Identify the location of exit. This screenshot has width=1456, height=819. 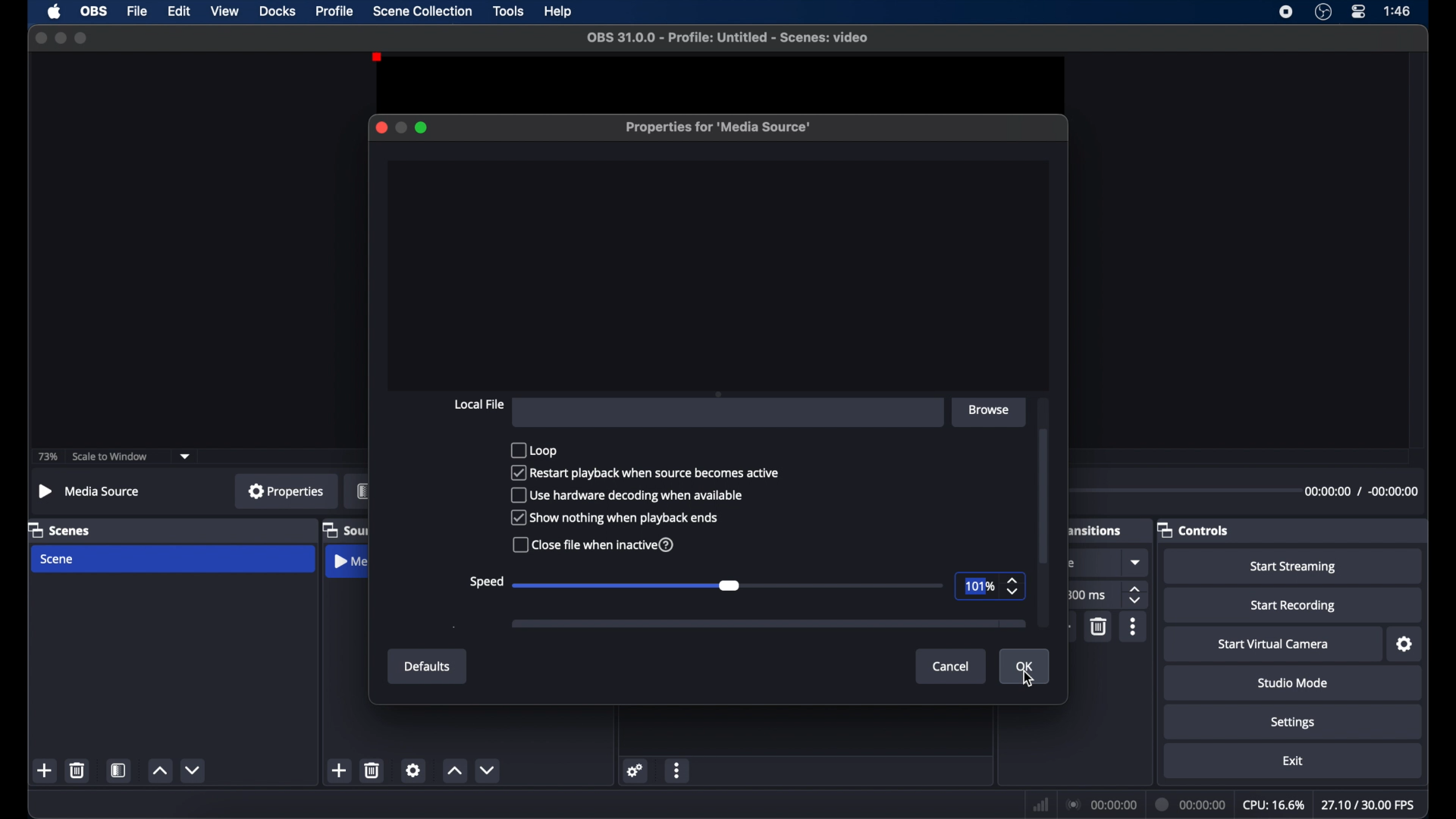
(1294, 761).